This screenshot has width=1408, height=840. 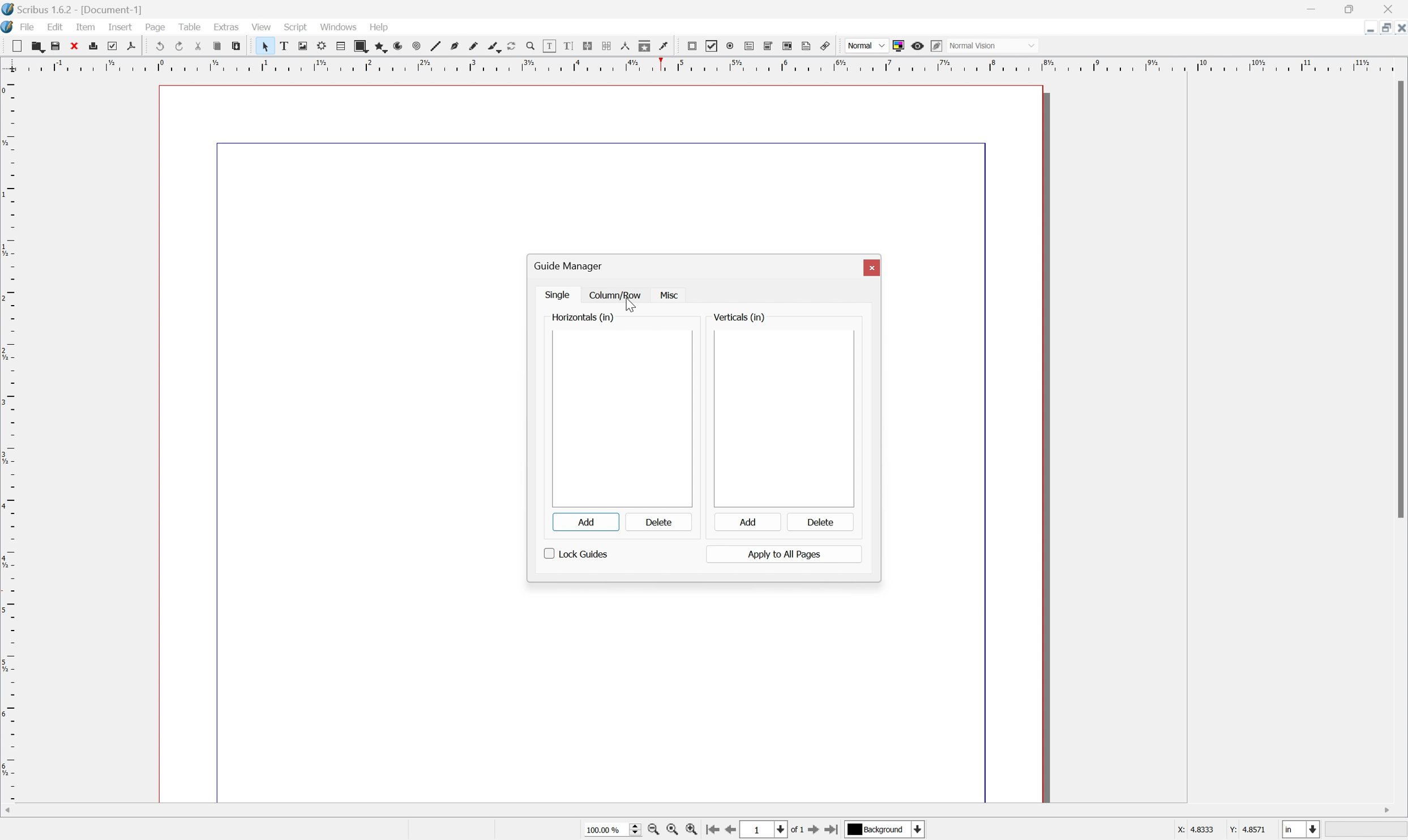 I want to click on line, so click(x=436, y=46).